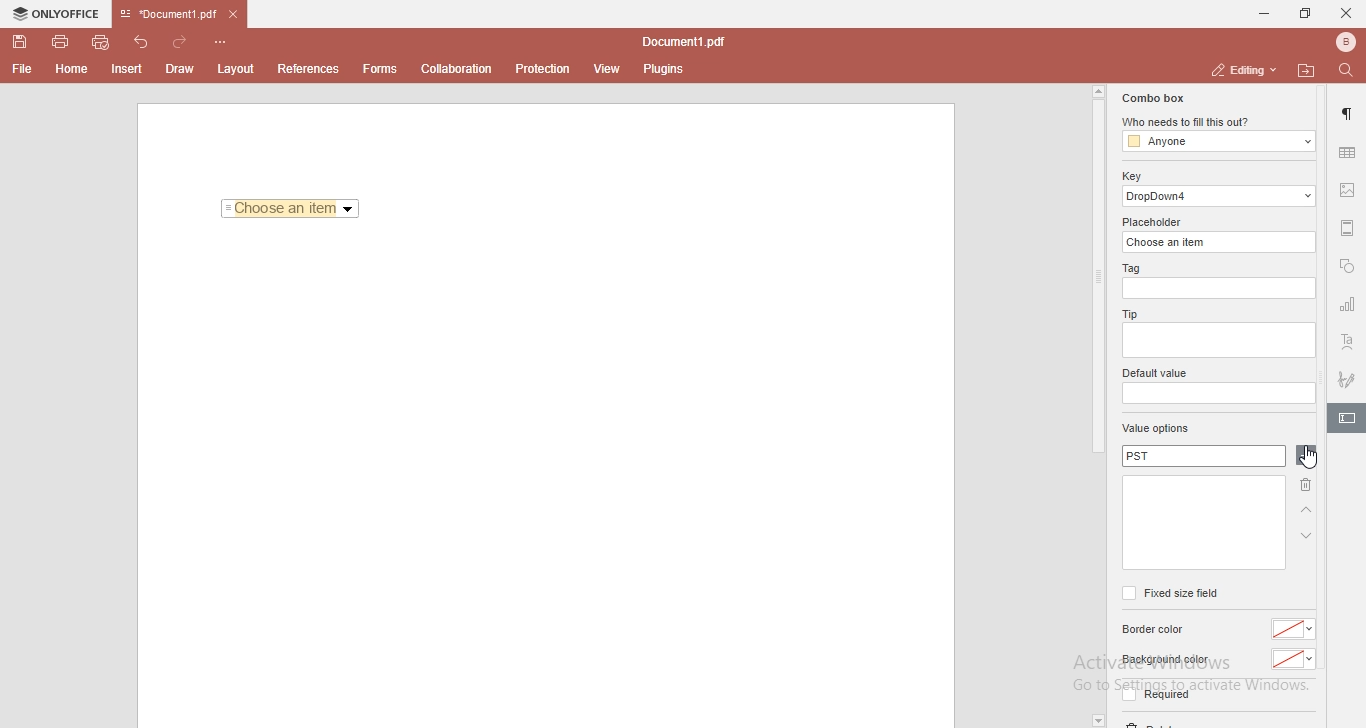  Describe the element at coordinates (1221, 241) in the screenshot. I see `choose an item` at that location.